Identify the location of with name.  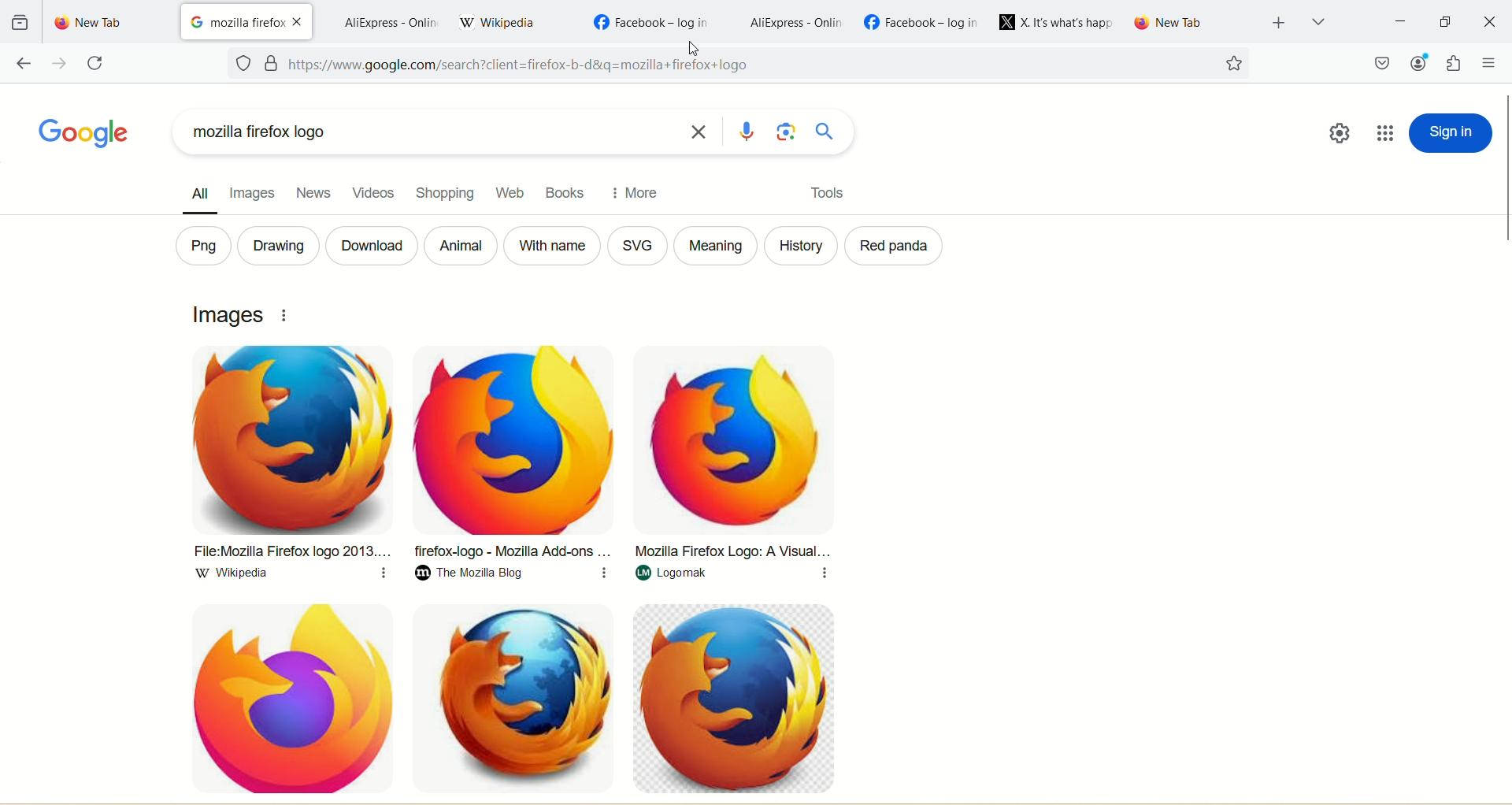
(552, 244).